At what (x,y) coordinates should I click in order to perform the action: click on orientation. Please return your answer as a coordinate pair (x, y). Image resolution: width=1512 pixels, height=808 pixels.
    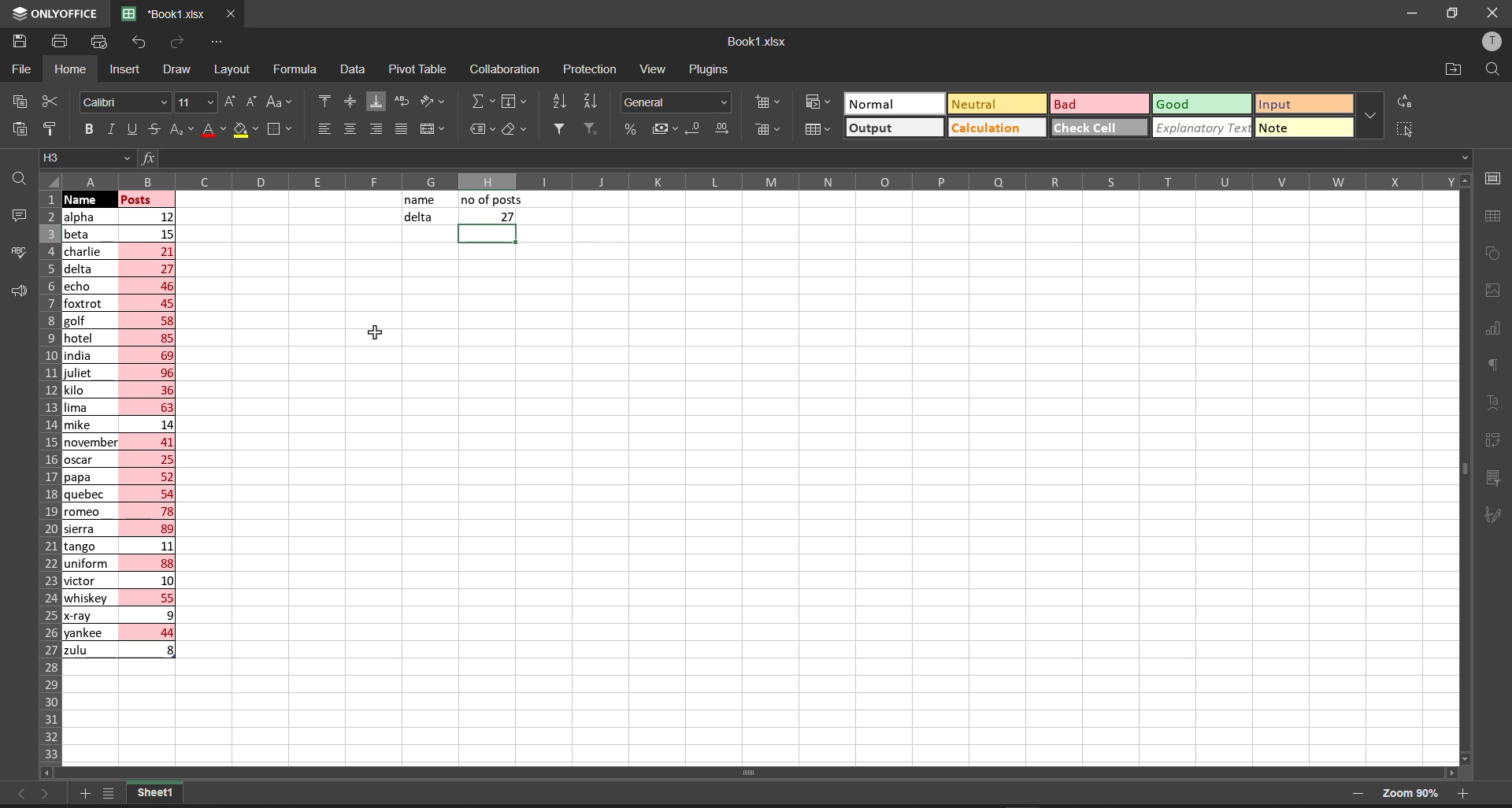
    Looking at the image, I should click on (436, 102).